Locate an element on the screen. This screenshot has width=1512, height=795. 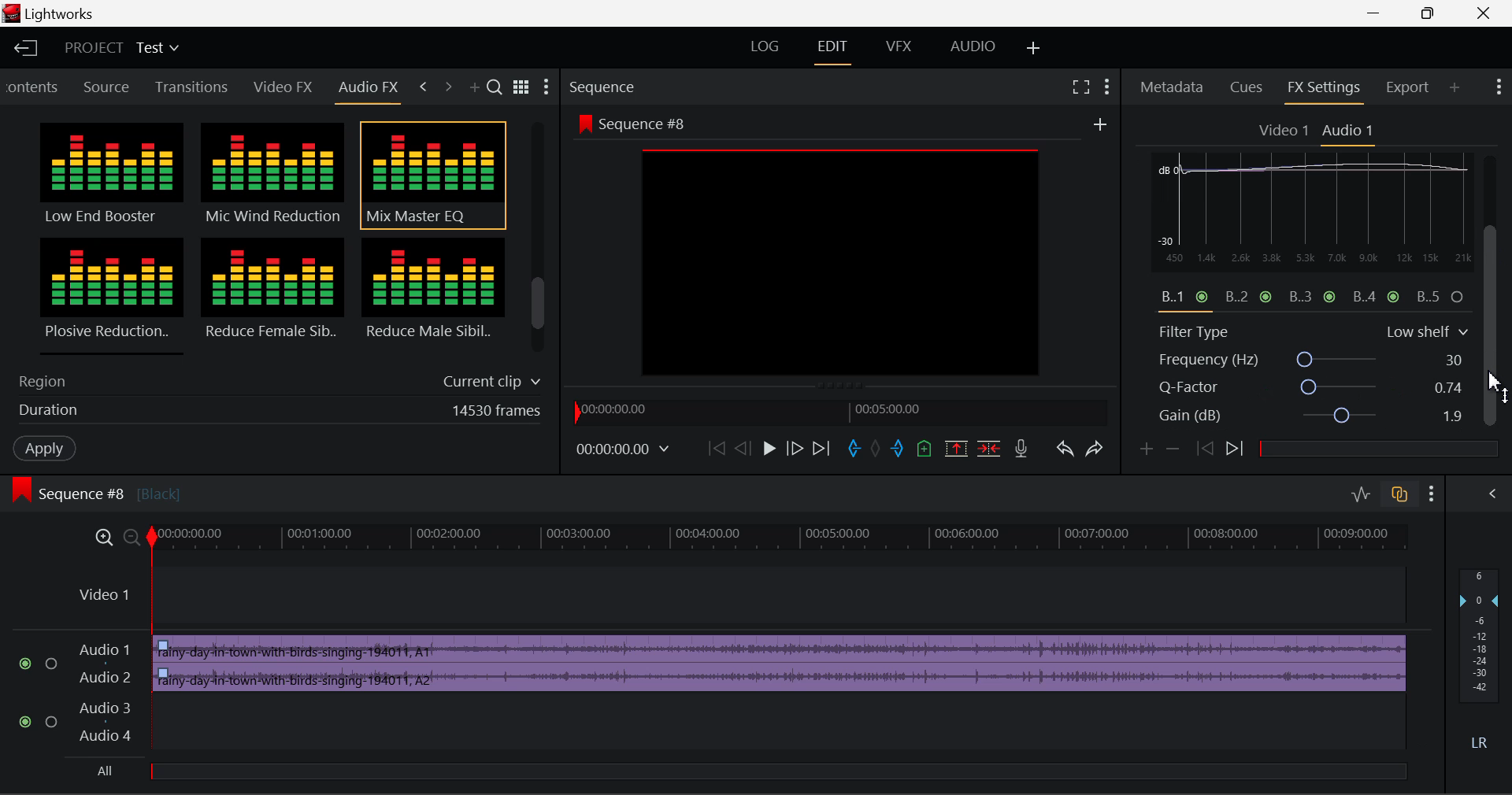
Play is located at coordinates (769, 449).